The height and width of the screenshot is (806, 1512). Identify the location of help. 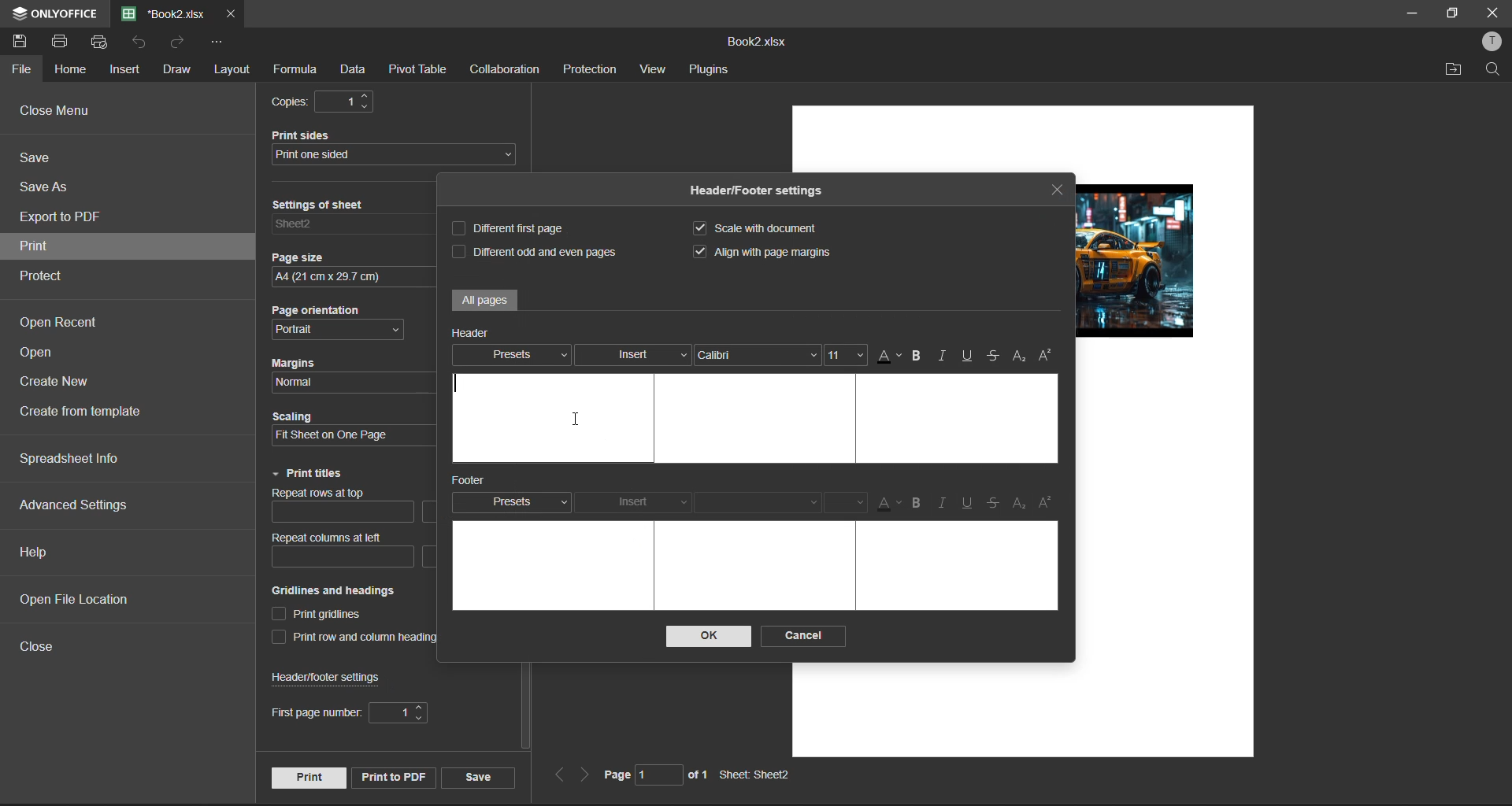
(37, 550).